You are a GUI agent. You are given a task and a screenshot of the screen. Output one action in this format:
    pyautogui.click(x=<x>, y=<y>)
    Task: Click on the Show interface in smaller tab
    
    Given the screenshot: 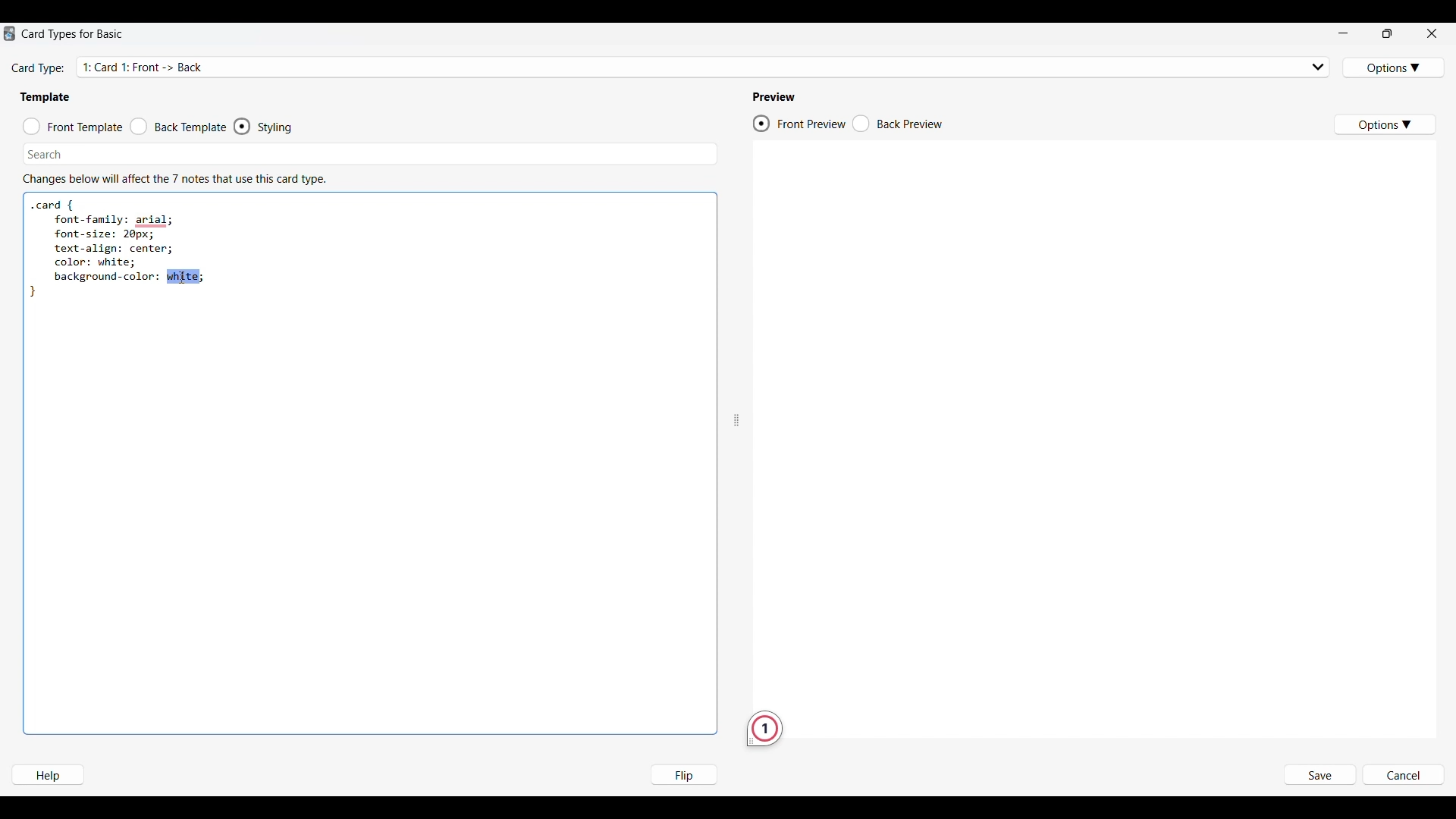 What is the action you would take?
    pyautogui.click(x=1388, y=33)
    